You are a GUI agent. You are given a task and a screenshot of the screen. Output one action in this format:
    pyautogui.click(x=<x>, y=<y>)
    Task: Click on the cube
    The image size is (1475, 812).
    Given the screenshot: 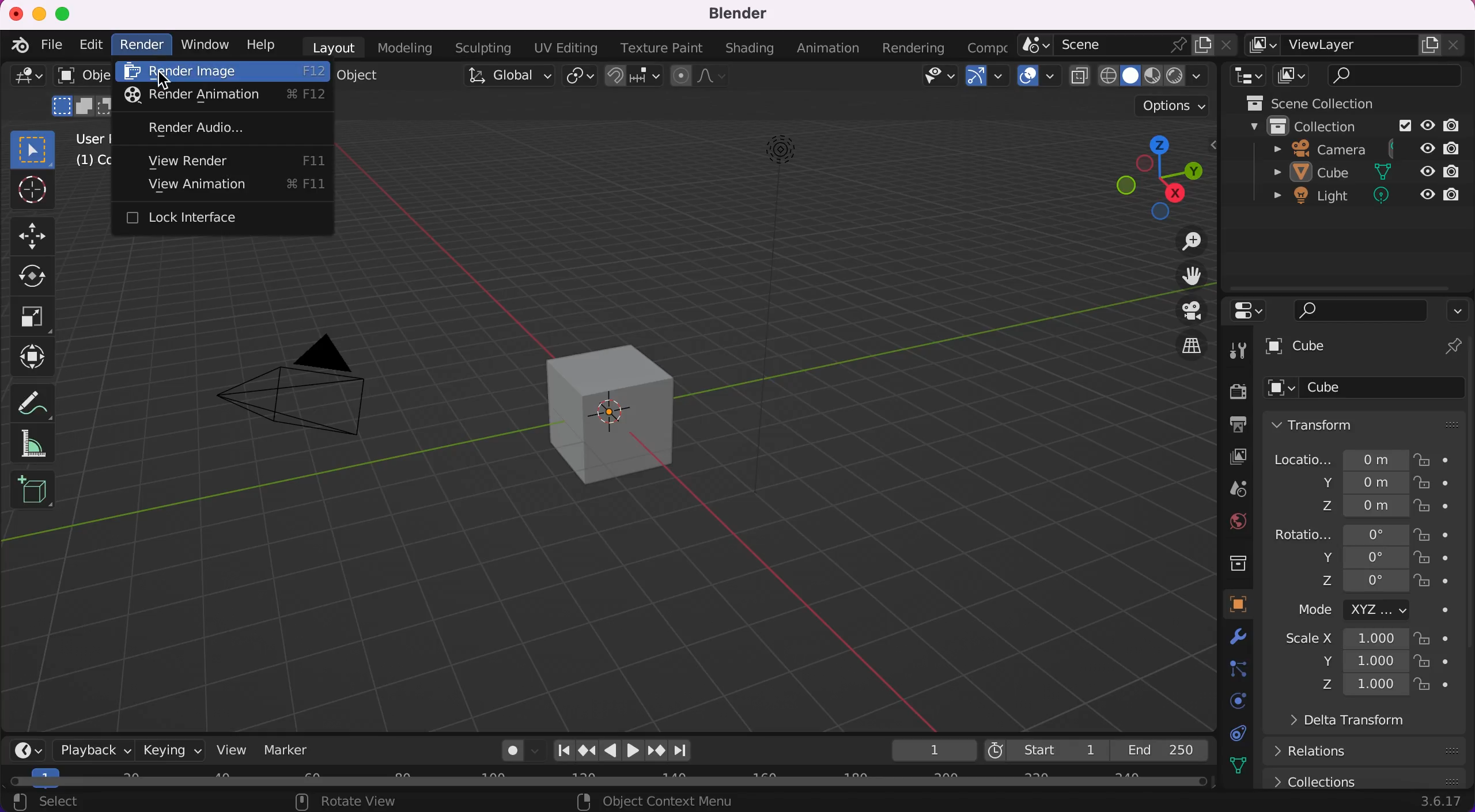 What is the action you would take?
    pyautogui.click(x=1366, y=391)
    